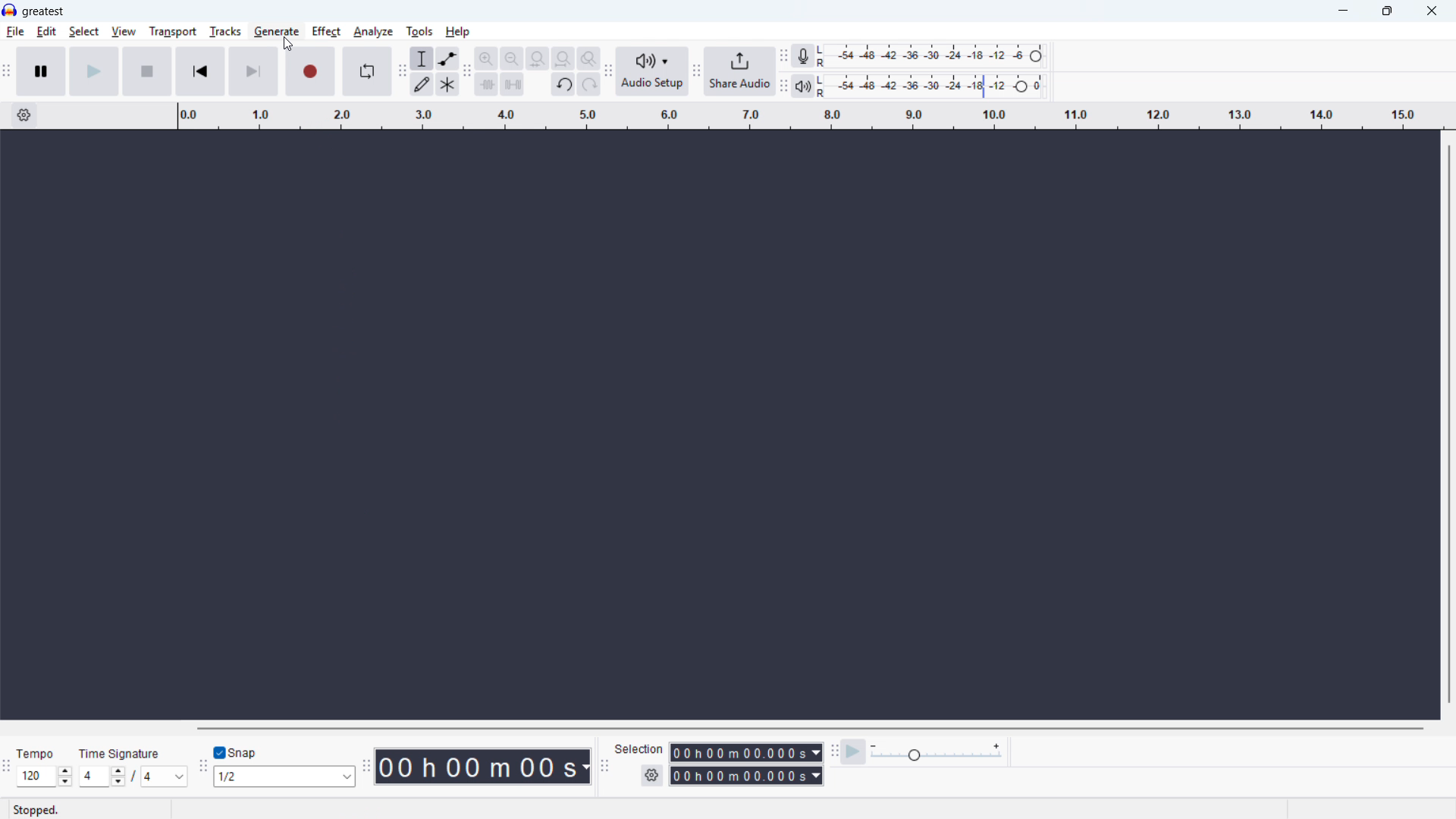 The image size is (1456, 819). Describe the element at coordinates (511, 85) in the screenshot. I see `silence audio outside selection` at that location.